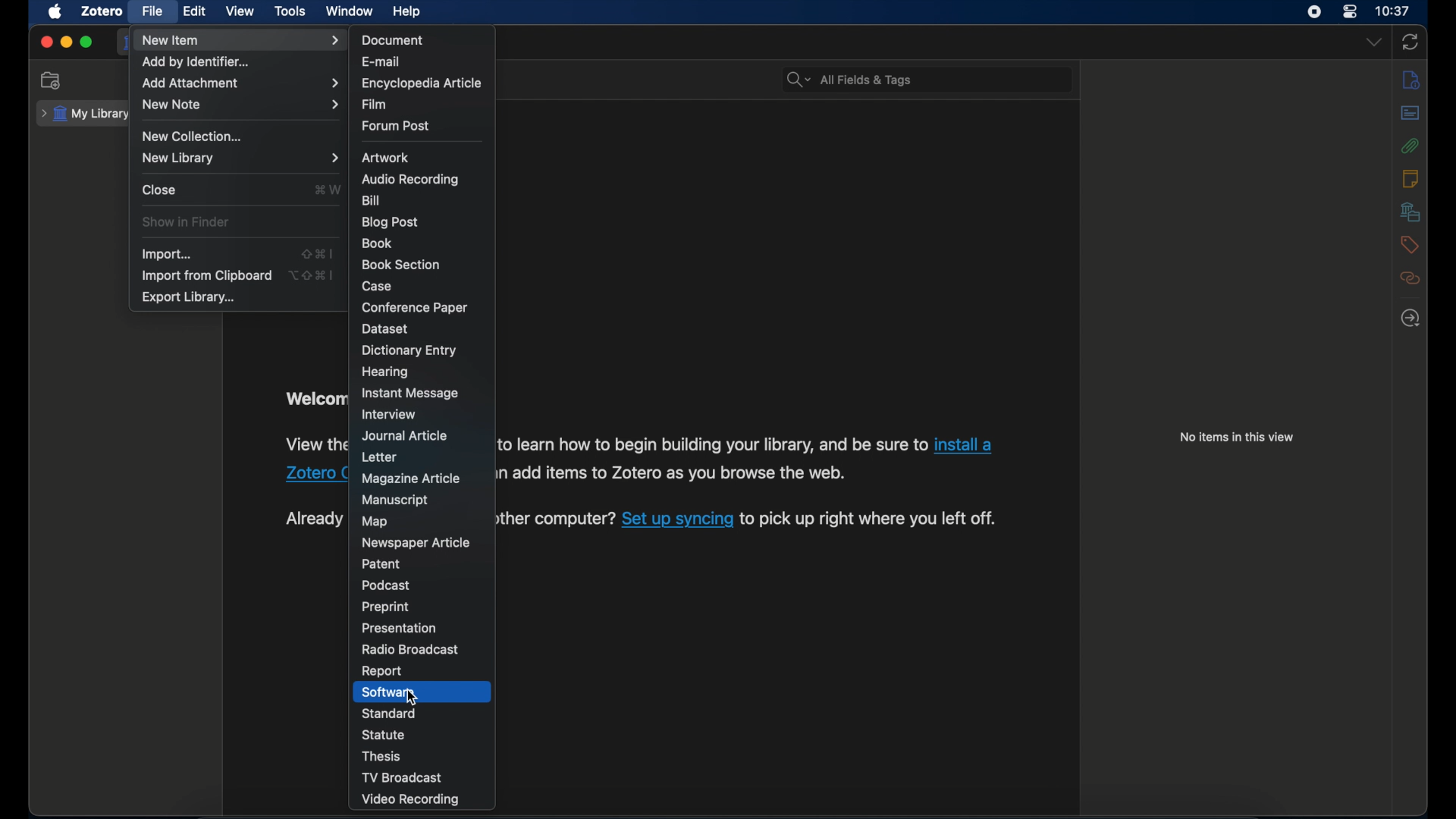  What do you see at coordinates (378, 243) in the screenshot?
I see `book` at bounding box center [378, 243].